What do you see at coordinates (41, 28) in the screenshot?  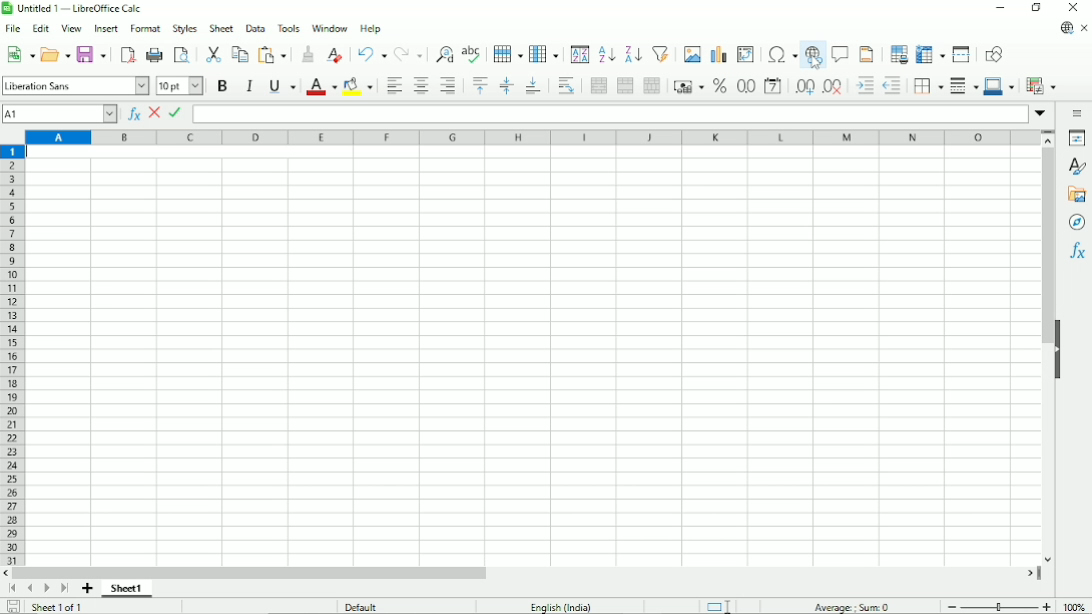 I see `Edit` at bounding box center [41, 28].